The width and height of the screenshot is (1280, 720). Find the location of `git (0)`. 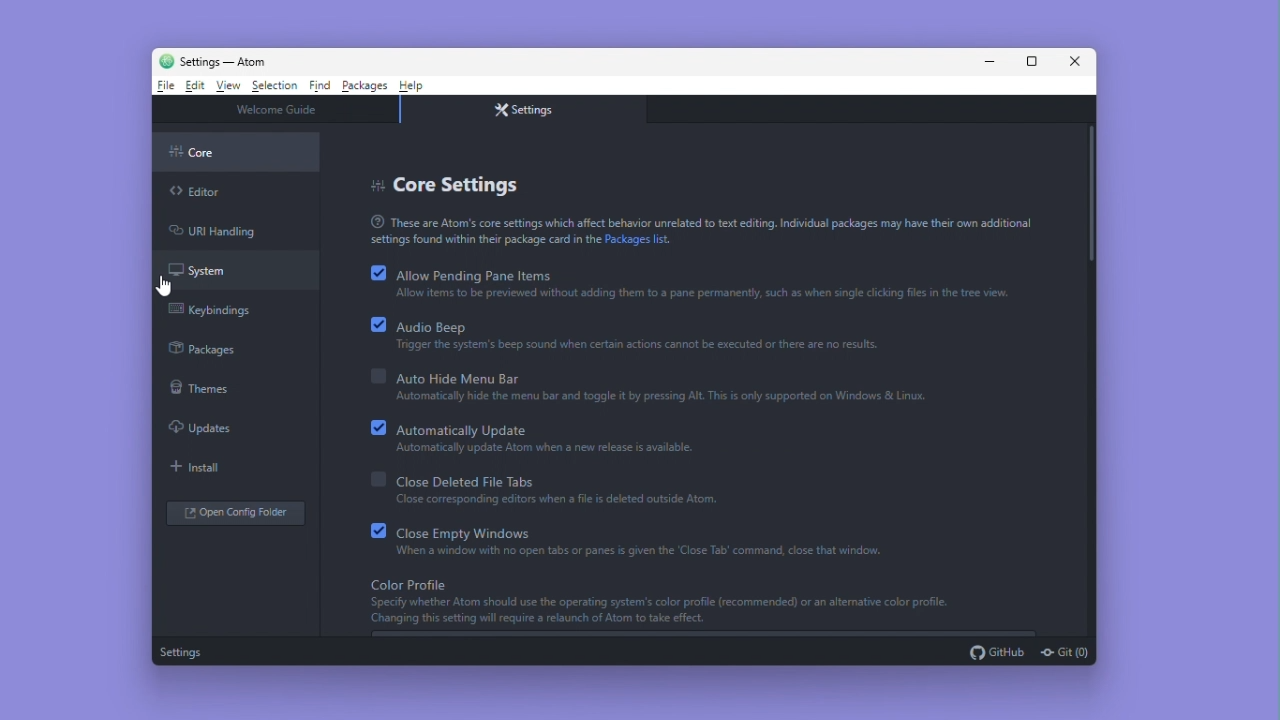

git (0) is located at coordinates (1063, 652).